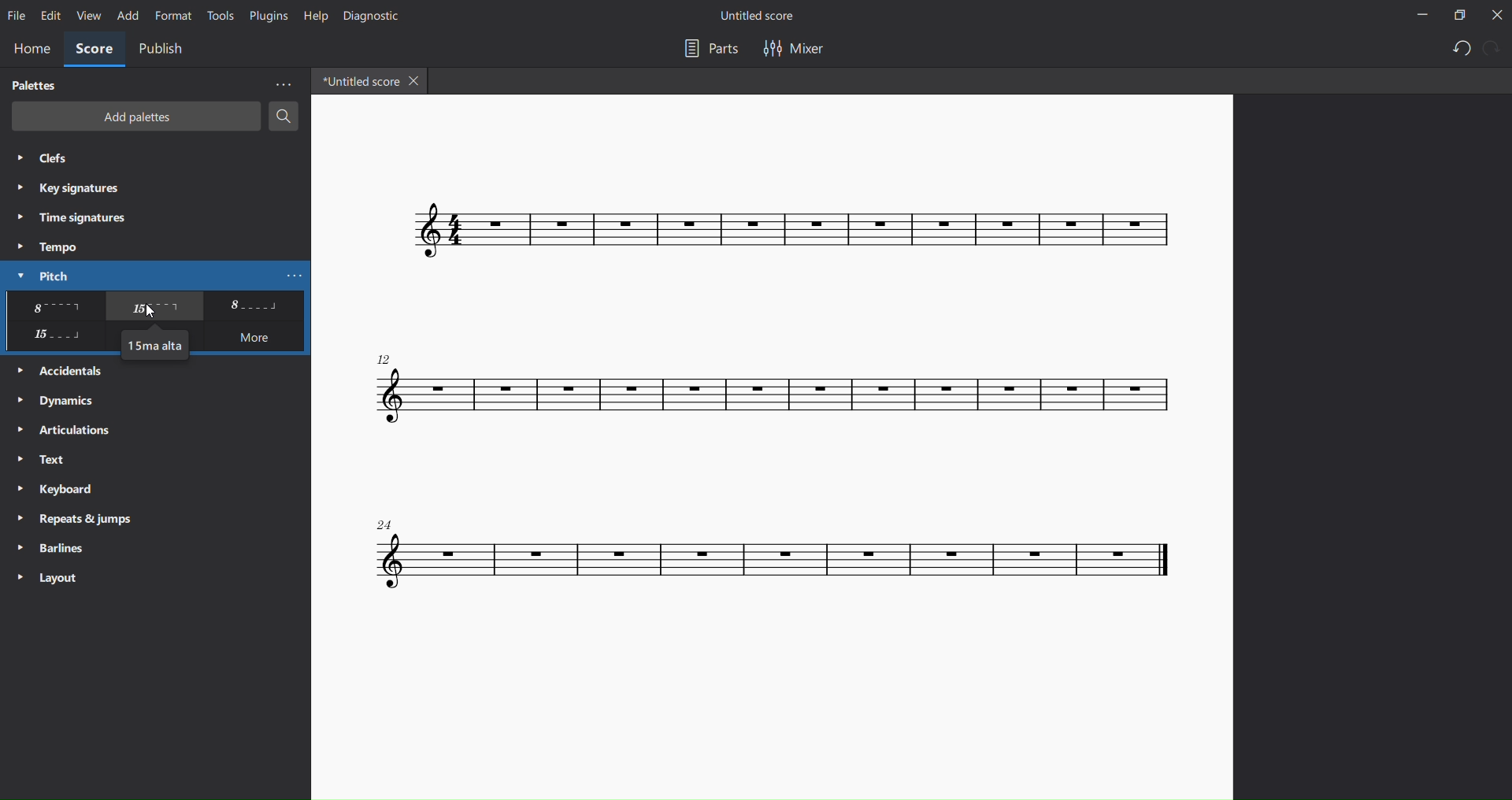 The height and width of the screenshot is (800, 1512). I want to click on more pitch options, so click(295, 276).